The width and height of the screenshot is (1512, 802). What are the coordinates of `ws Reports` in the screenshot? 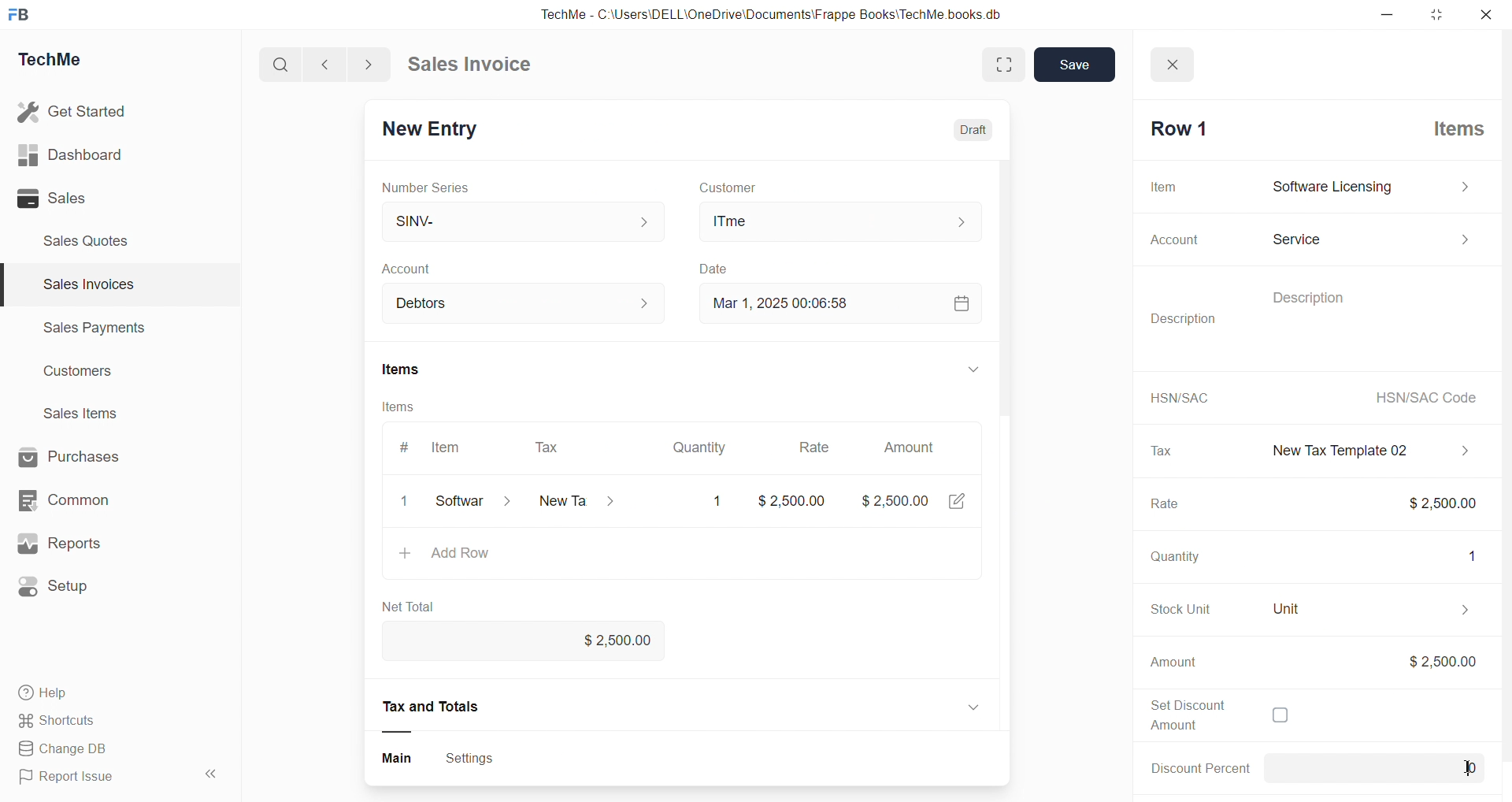 It's located at (74, 544).